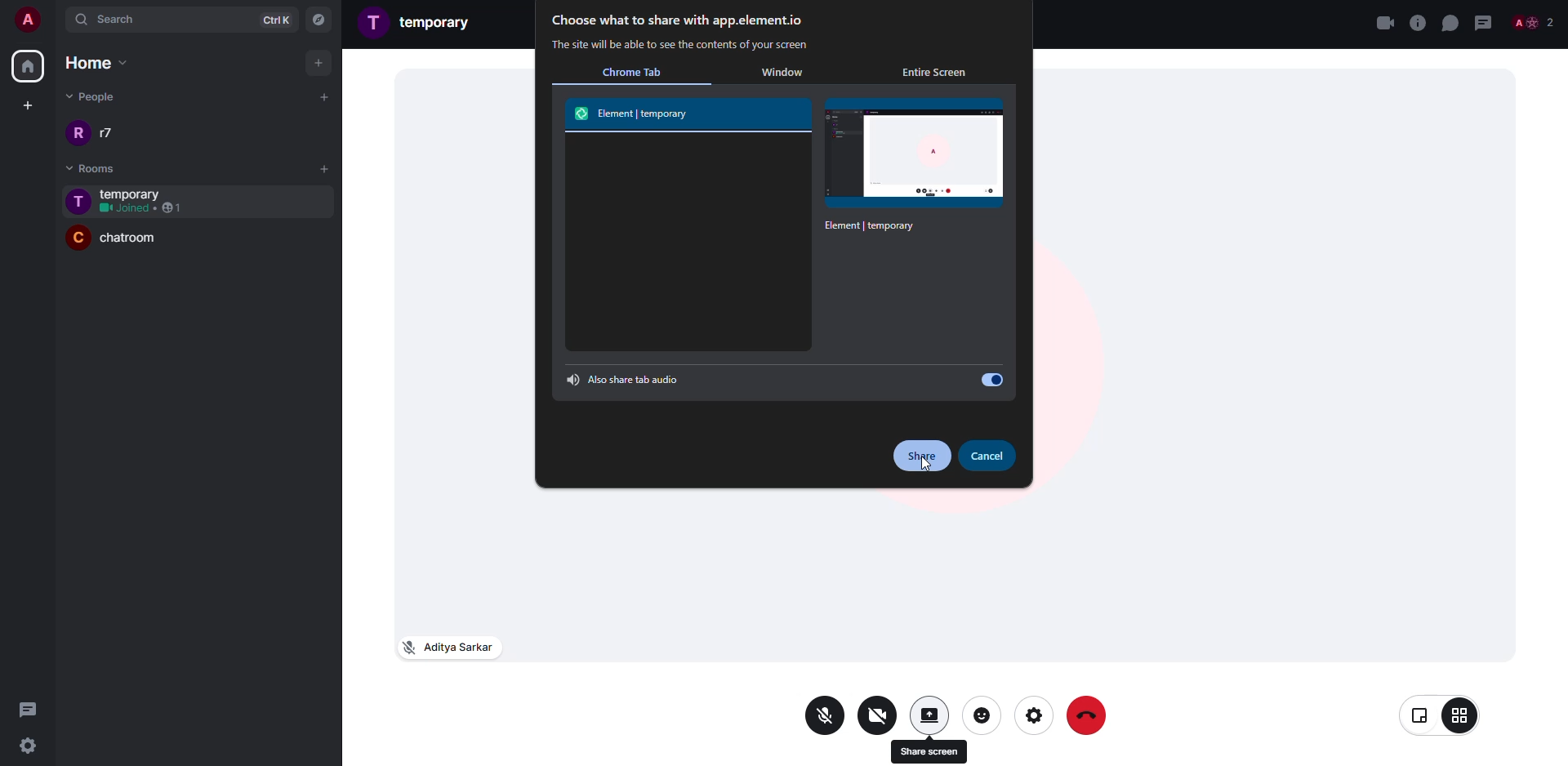  What do you see at coordinates (375, 21) in the screenshot?
I see `profile` at bounding box center [375, 21].